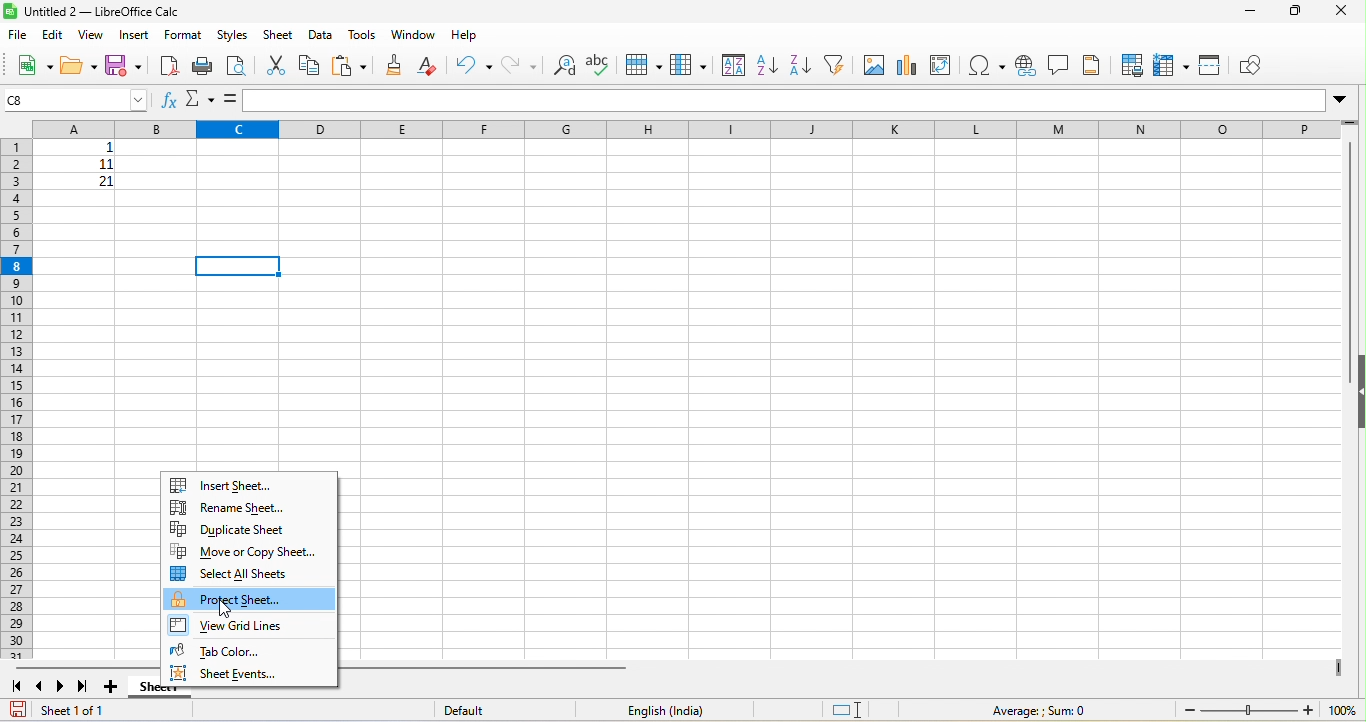 This screenshot has width=1366, height=722. What do you see at coordinates (231, 507) in the screenshot?
I see `rename sheet` at bounding box center [231, 507].